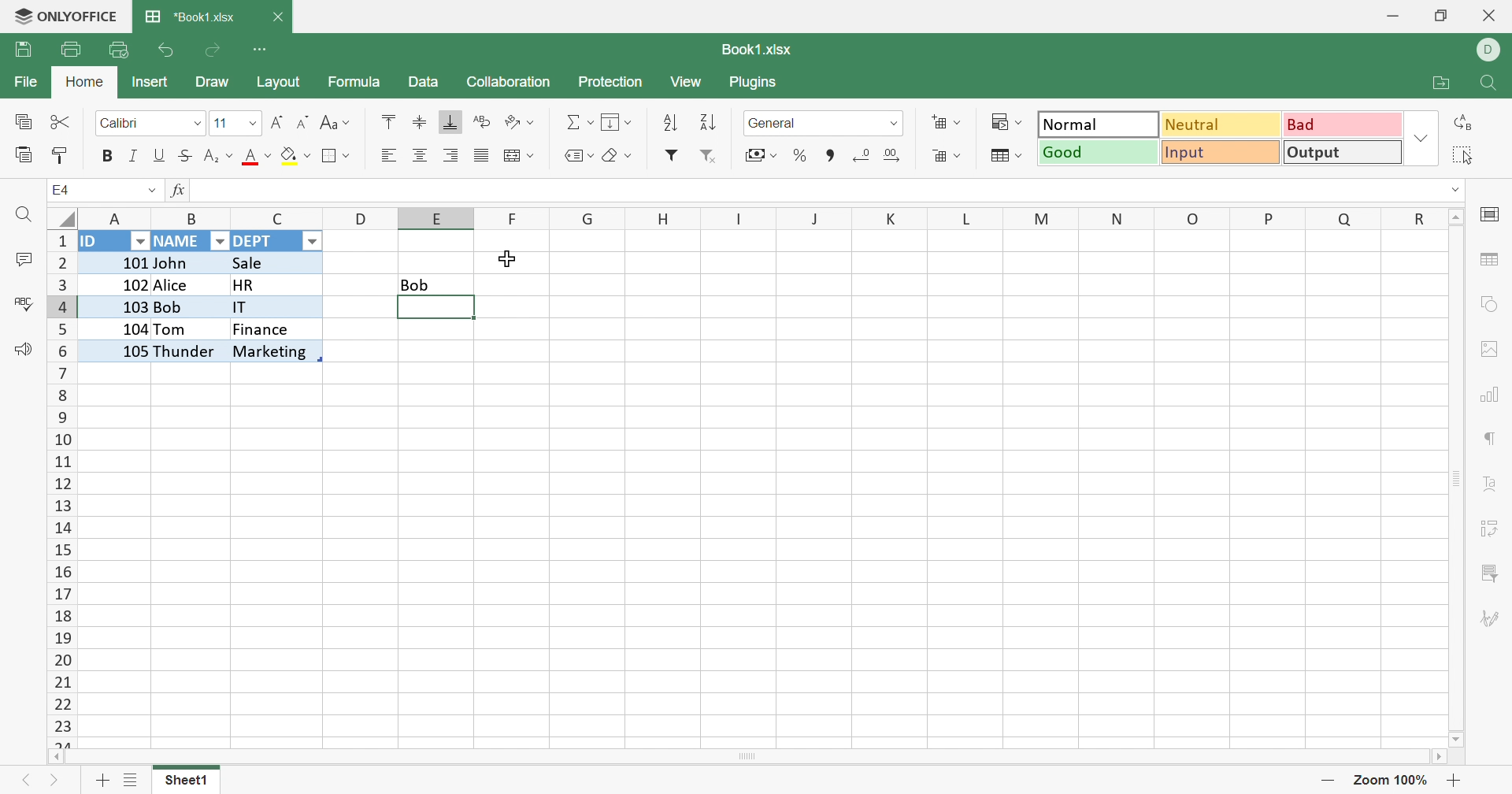 This screenshot has width=1512, height=794. What do you see at coordinates (67, 17) in the screenshot?
I see `ONLYOFFICE` at bounding box center [67, 17].